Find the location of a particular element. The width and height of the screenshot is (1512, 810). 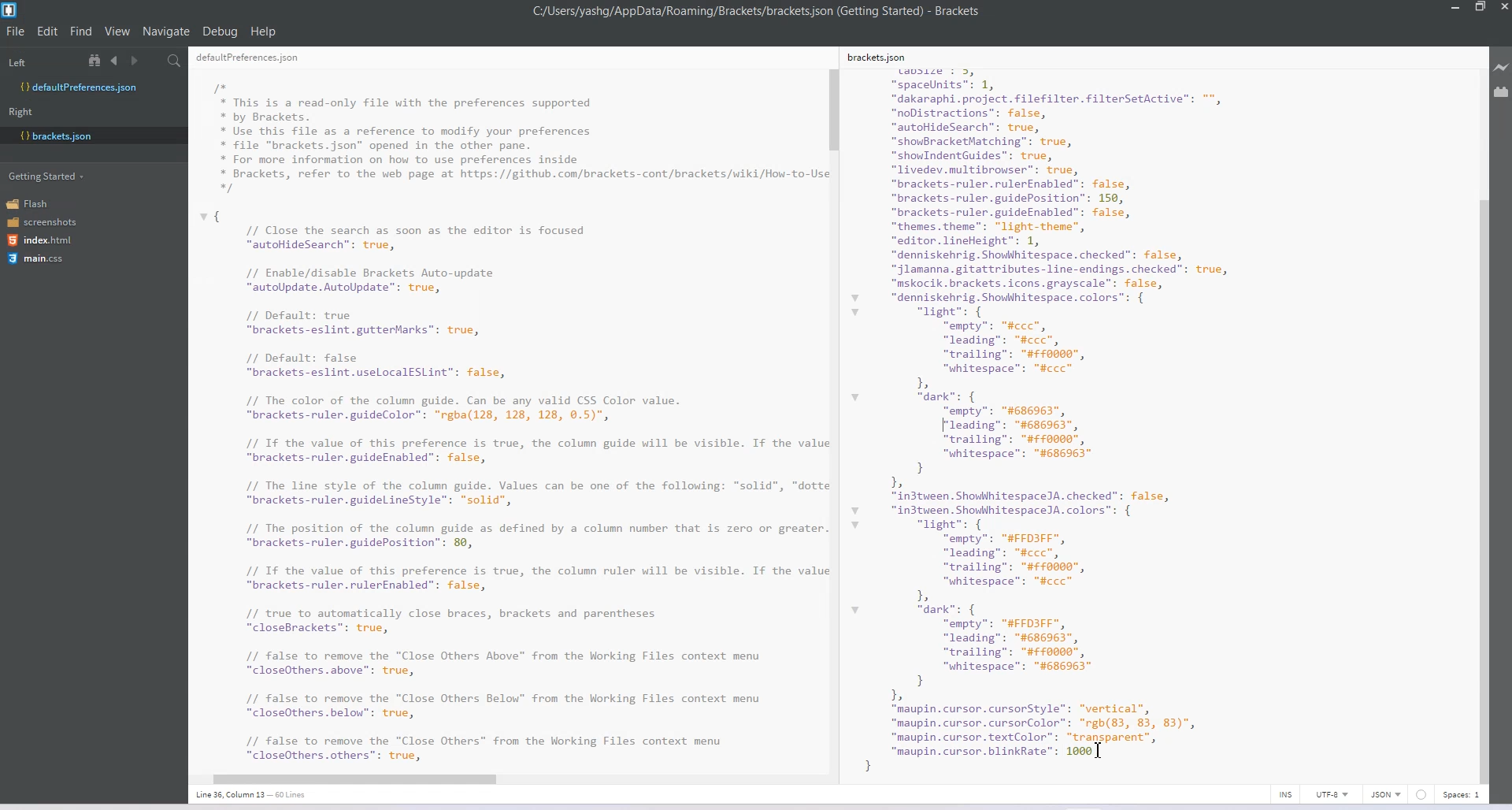

Left is located at coordinates (17, 63).